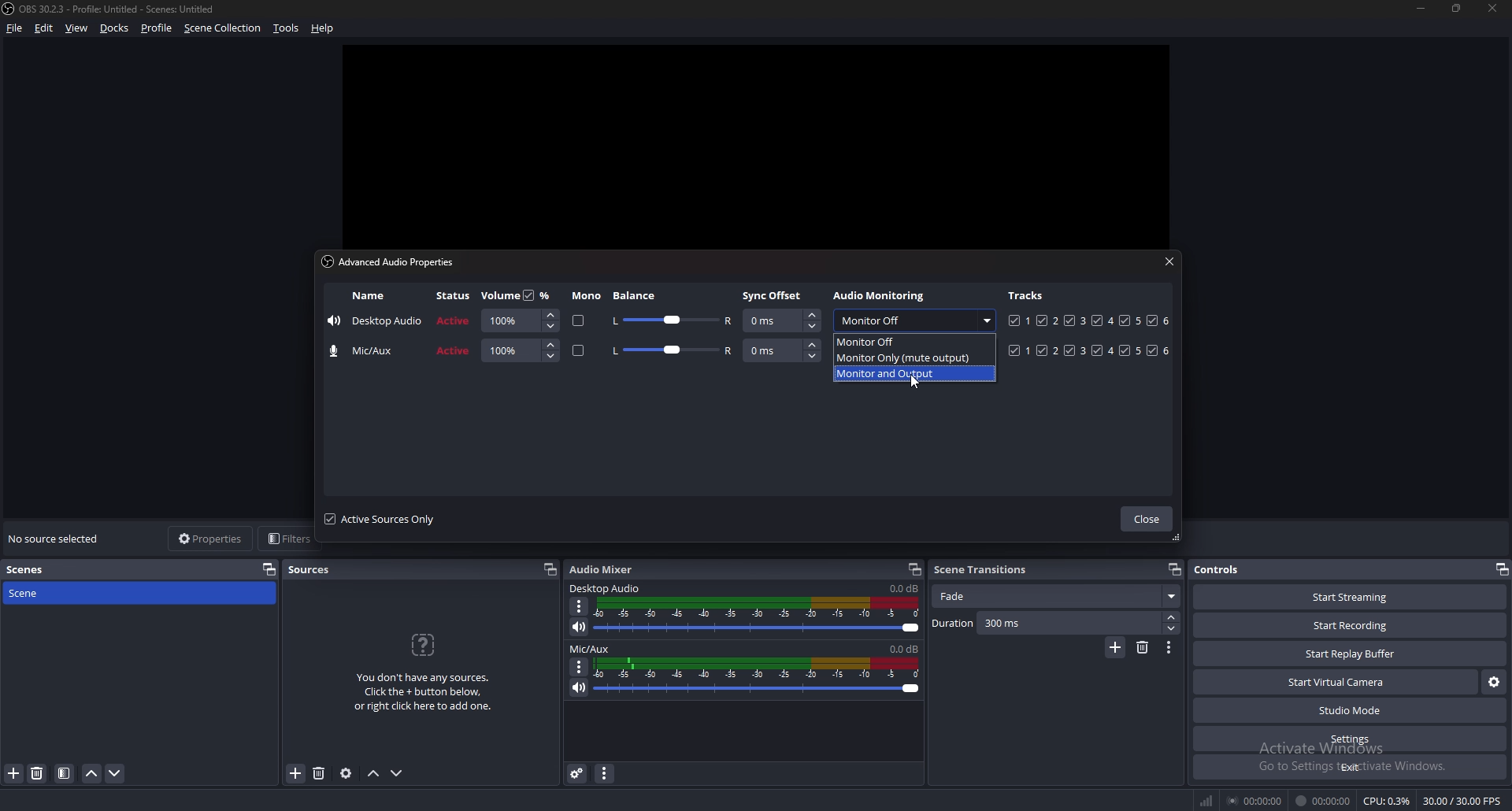  Describe the element at coordinates (539, 294) in the screenshot. I see `percentage toggle` at that location.